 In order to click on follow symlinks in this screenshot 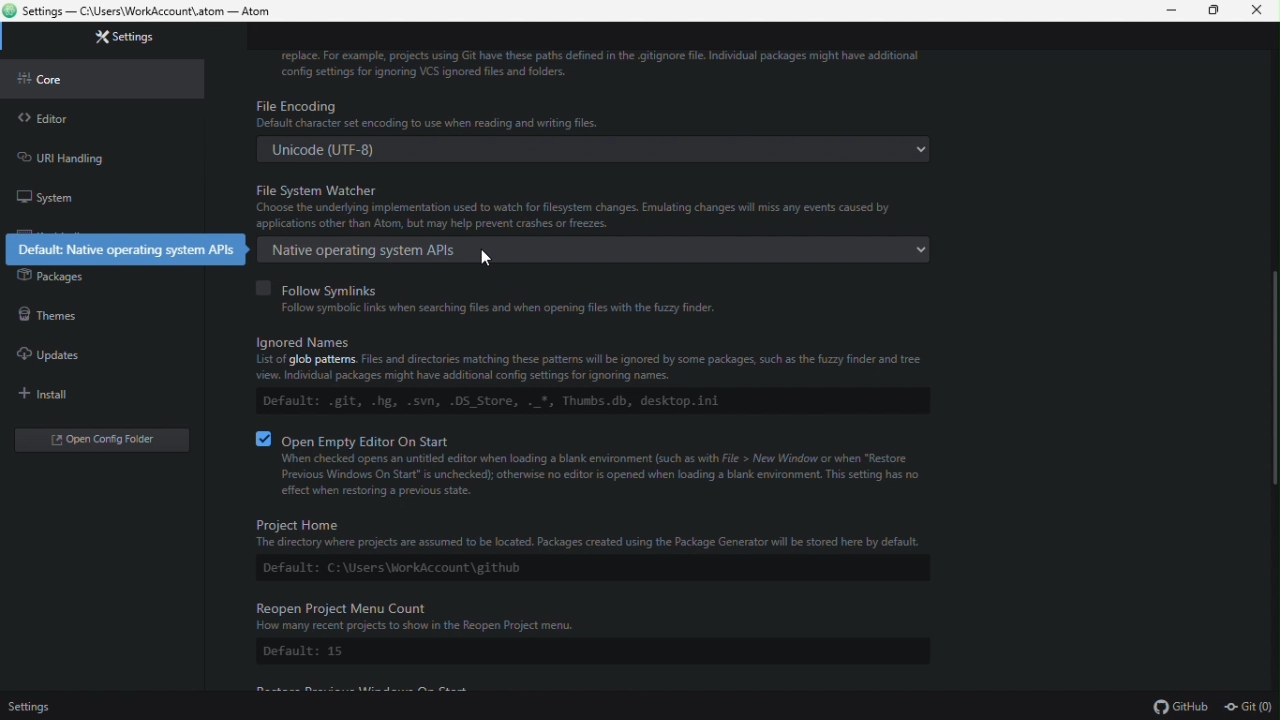, I will do `click(546, 294)`.